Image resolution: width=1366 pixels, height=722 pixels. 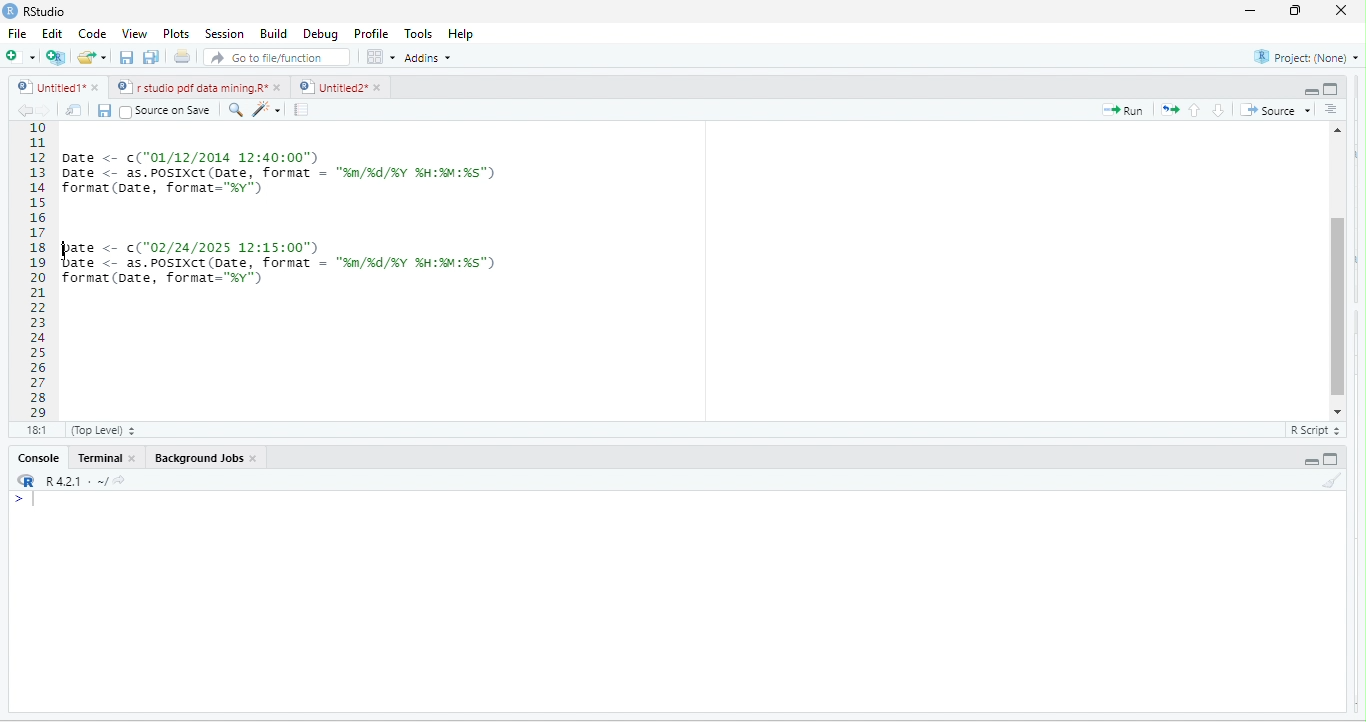 What do you see at coordinates (462, 35) in the screenshot?
I see `Help` at bounding box center [462, 35].